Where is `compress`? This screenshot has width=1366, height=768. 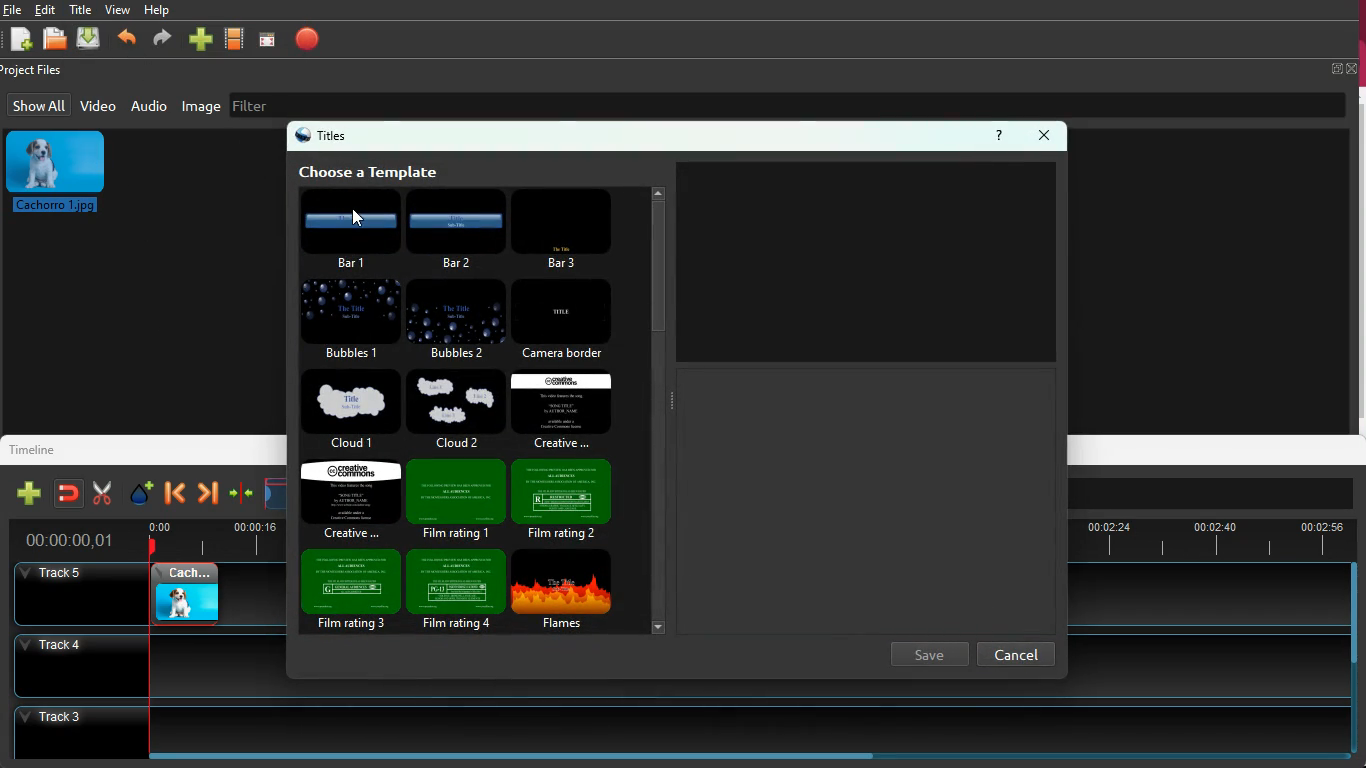
compress is located at coordinates (241, 496).